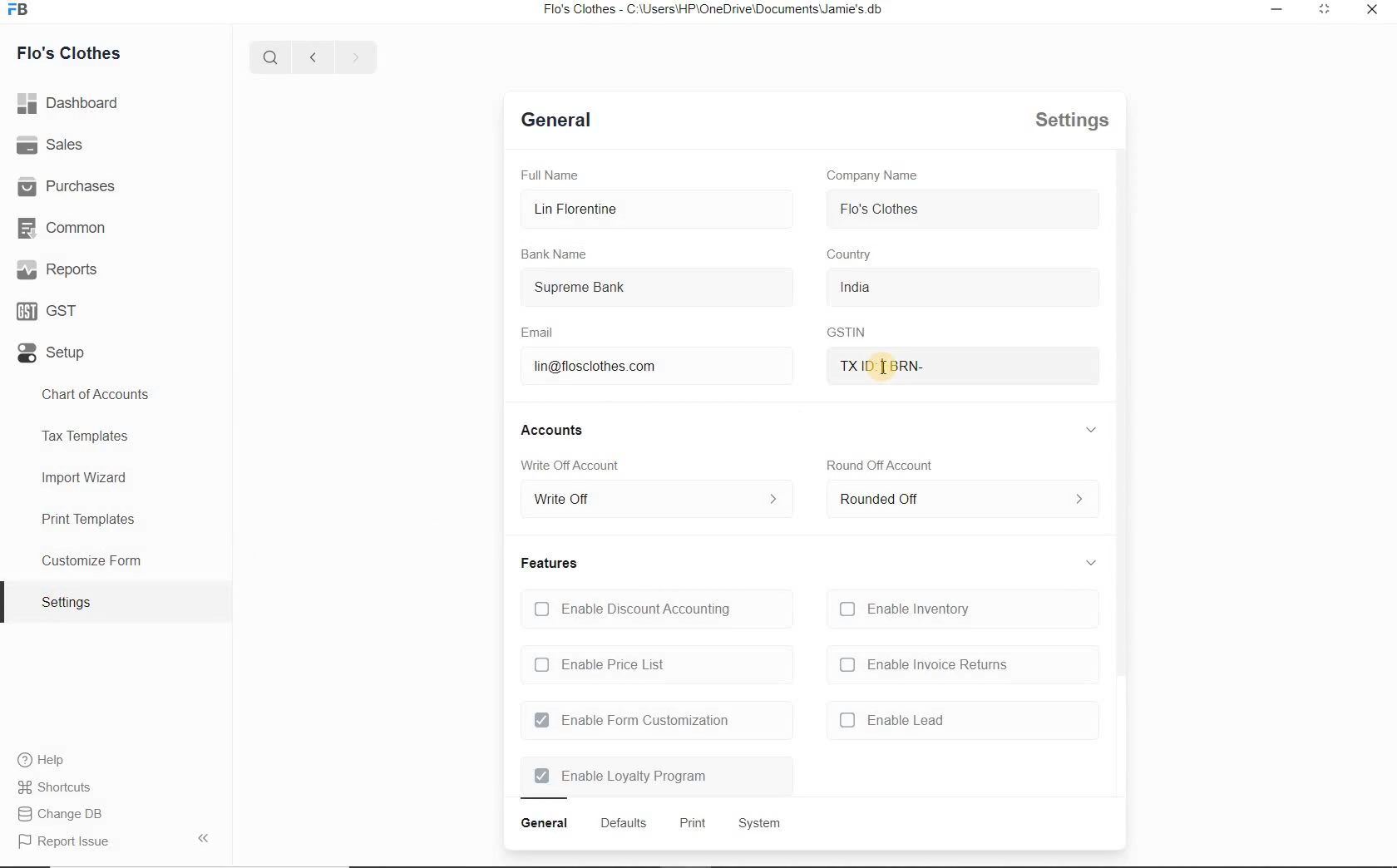 The height and width of the screenshot is (868, 1397). What do you see at coordinates (72, 52) in the screenshot?
I see `Flo's Clothes` at bounding box center [72, 52].